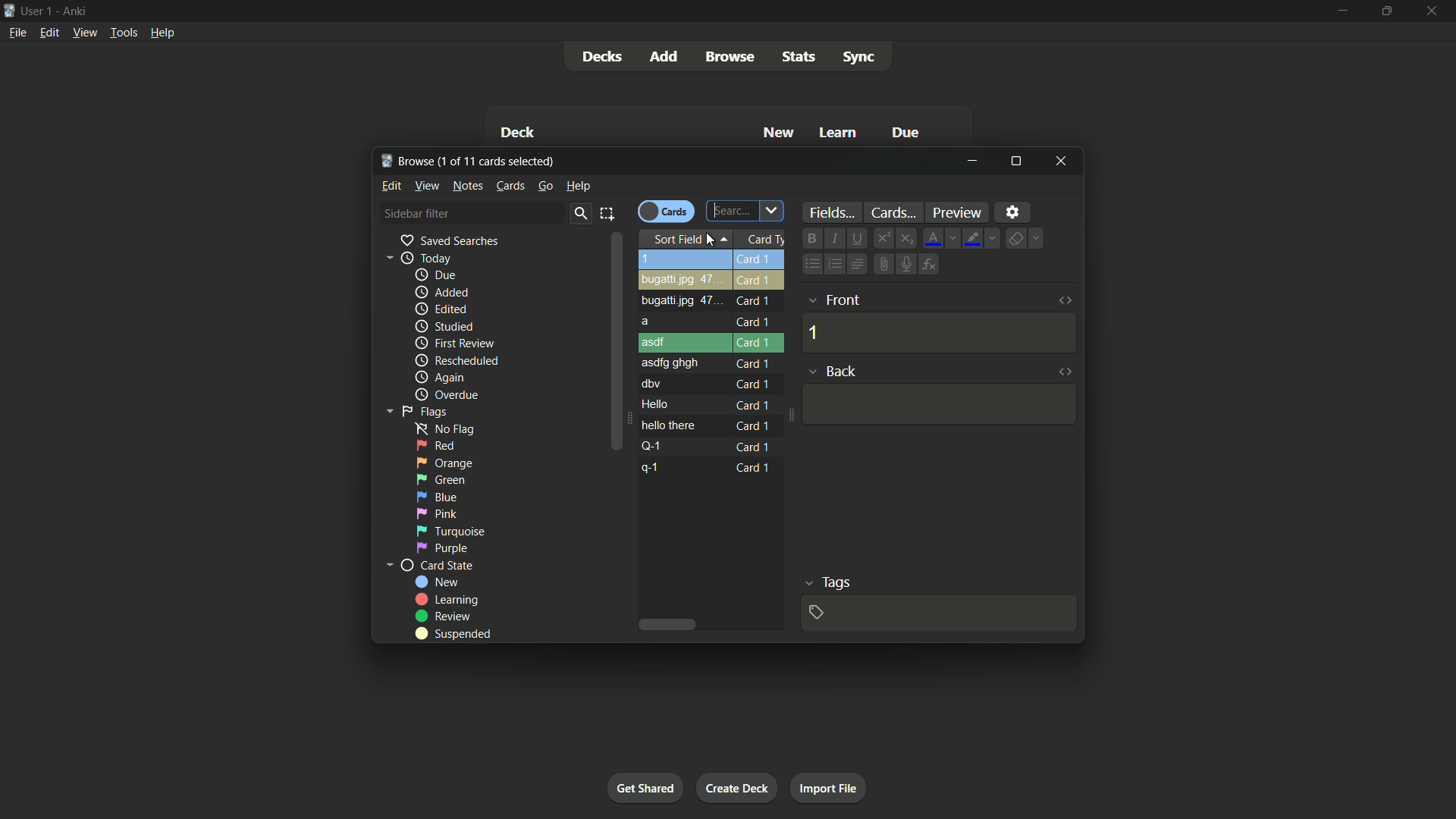 The width and height of the screenshot is (1456, 819). What do you see at coordinates (426, 258) in the screenshot?
I see `today` at bounding box center [426, 258].